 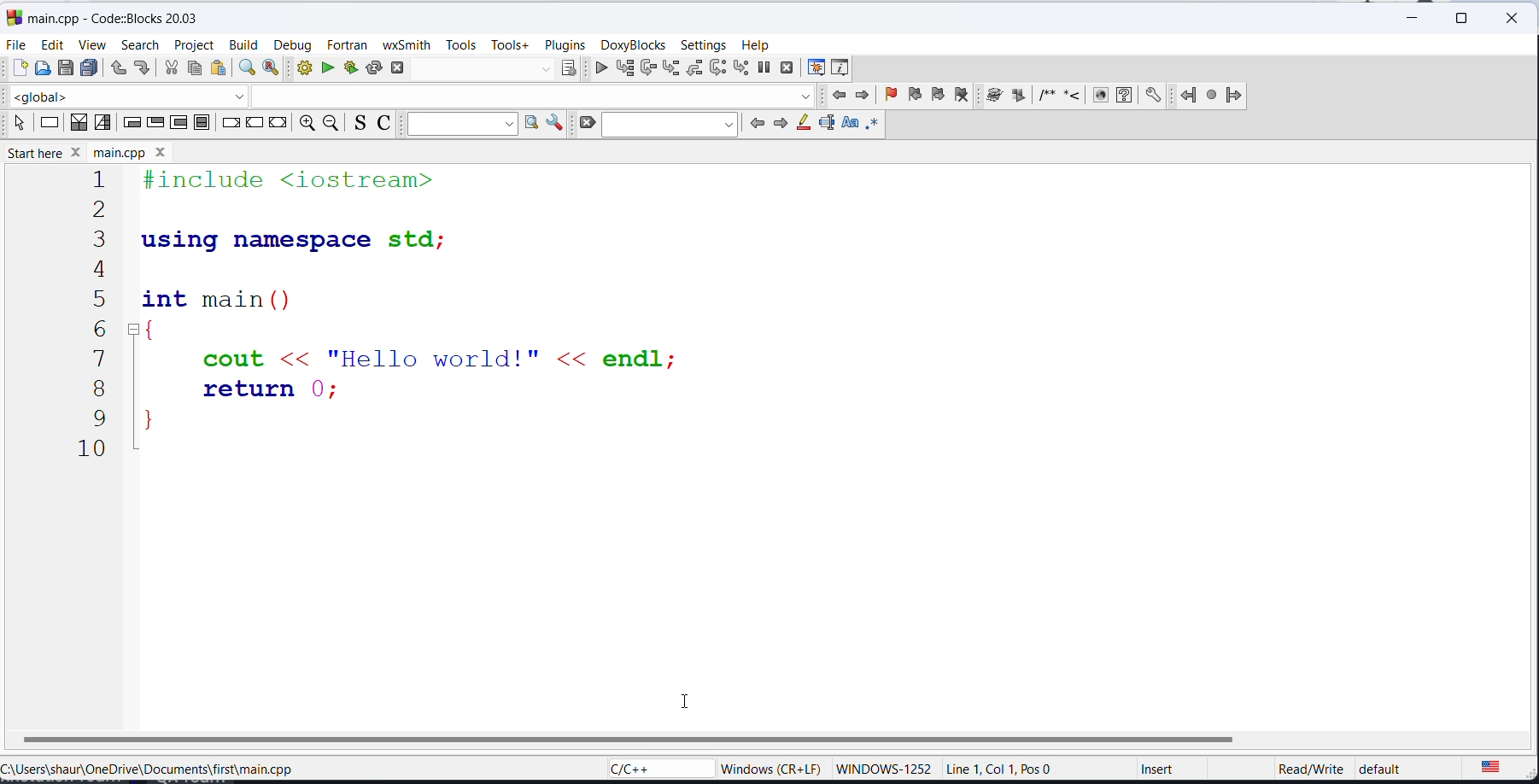 What do you see at coordinates (835, 97) in the screenshot?
I see `previous` at bounding box center [835, 97].